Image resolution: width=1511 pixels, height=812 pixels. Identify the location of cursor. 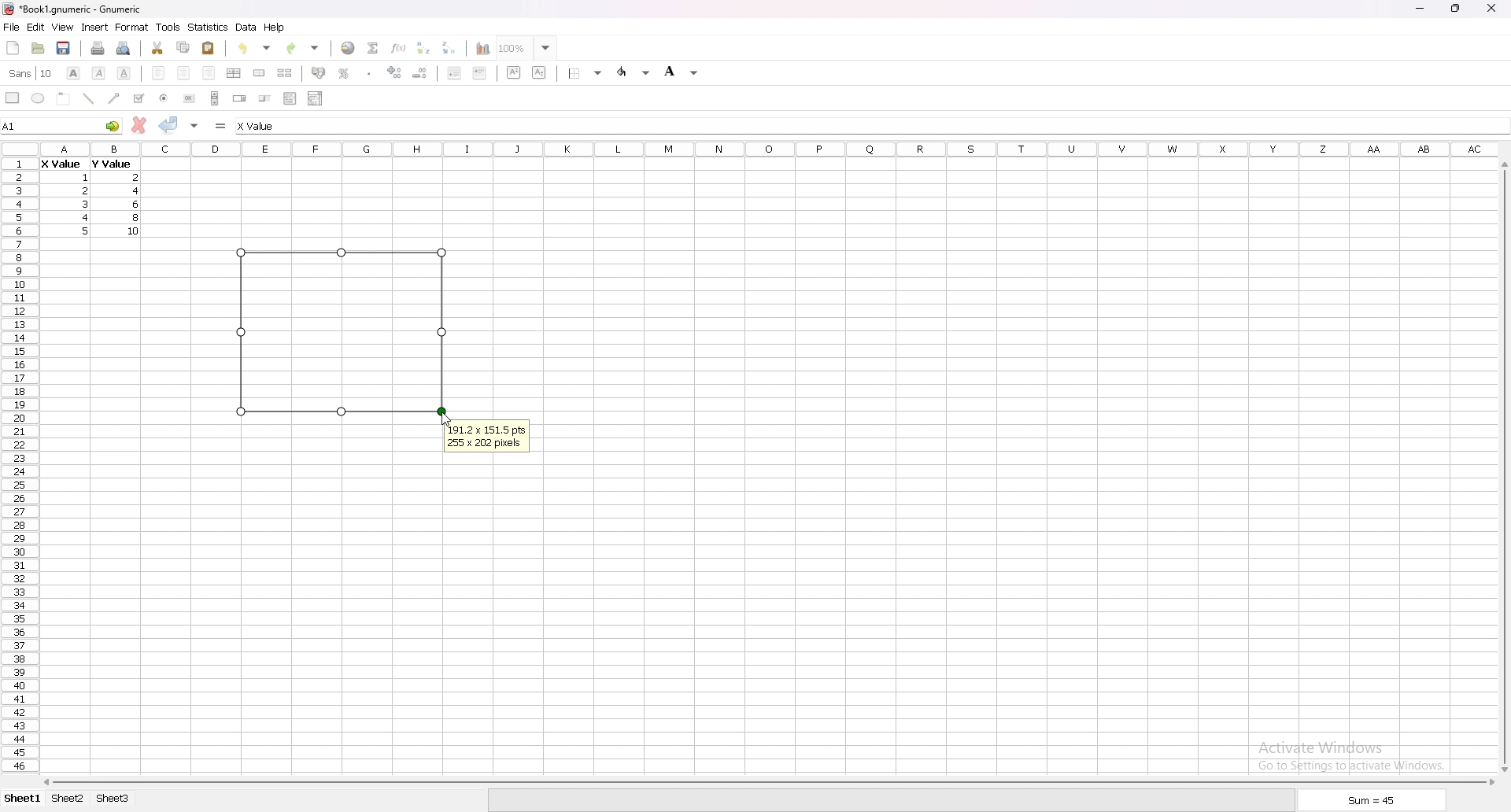
(445, 419).